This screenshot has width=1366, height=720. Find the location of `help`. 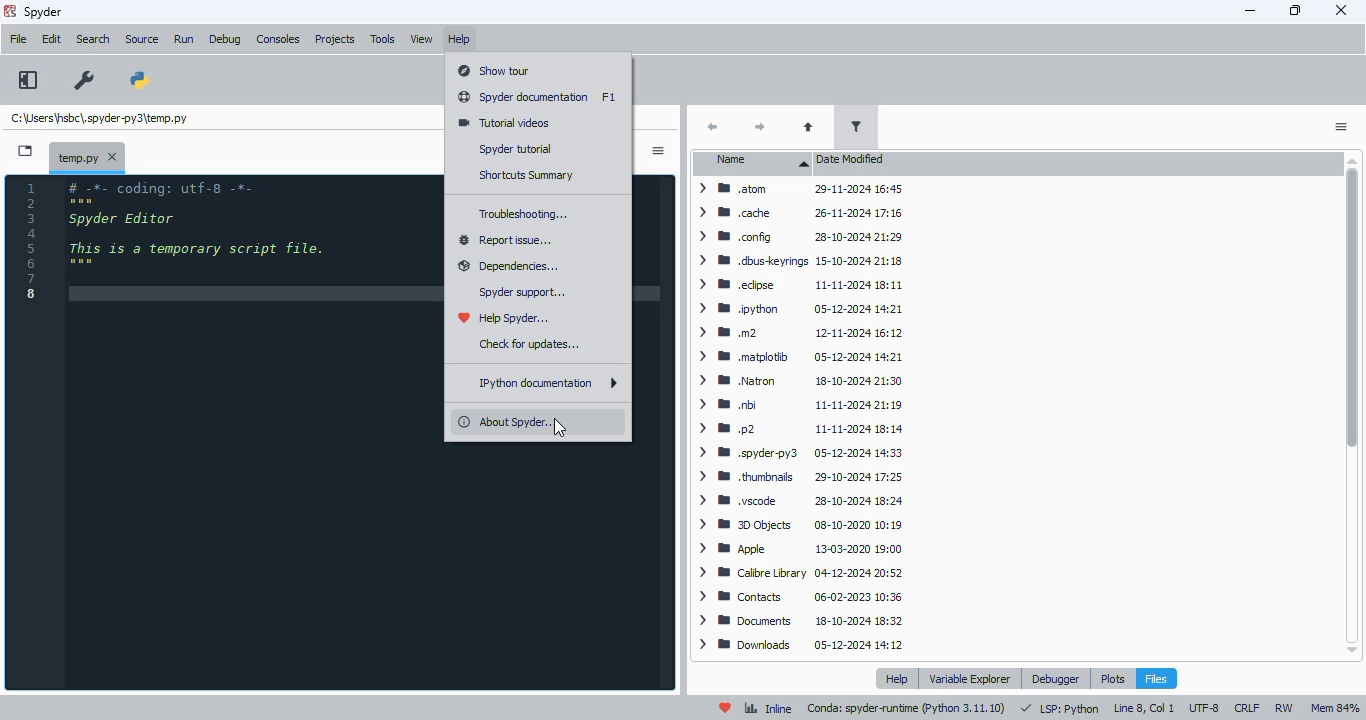

help is located at coordinates (898, 678).